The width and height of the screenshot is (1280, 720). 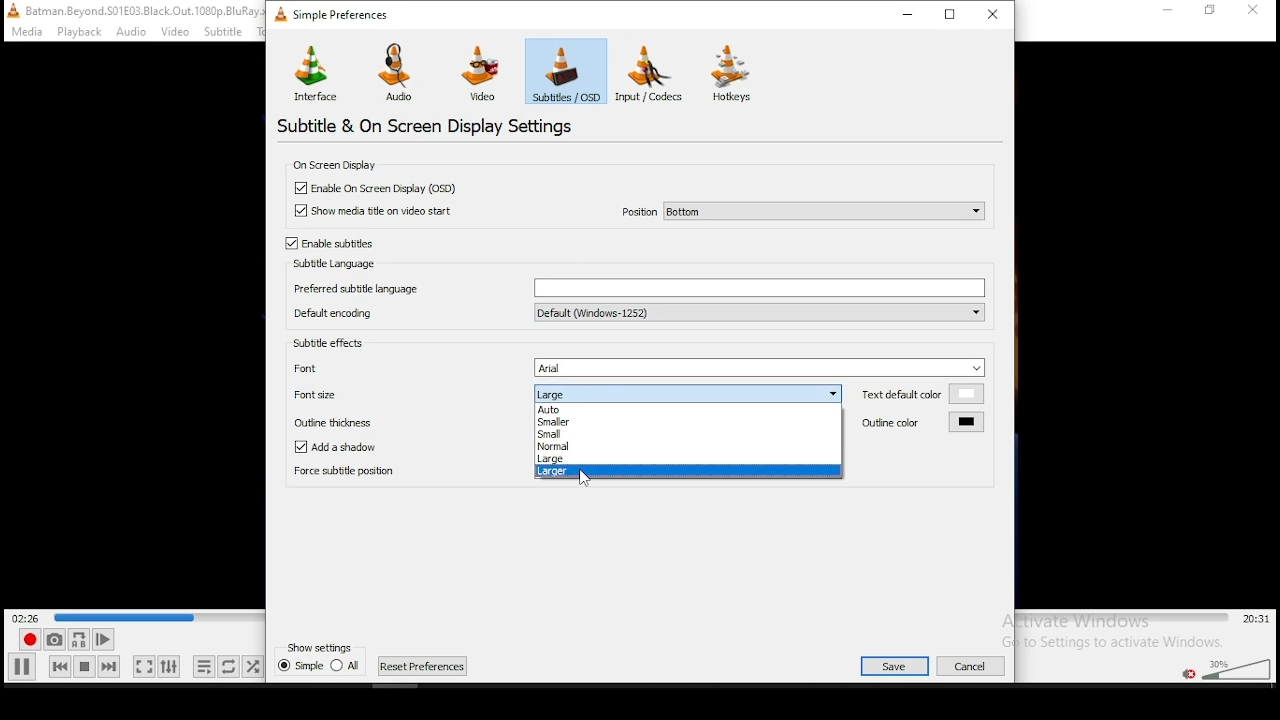 I want to click on text default color, so click(x=923, y=394).